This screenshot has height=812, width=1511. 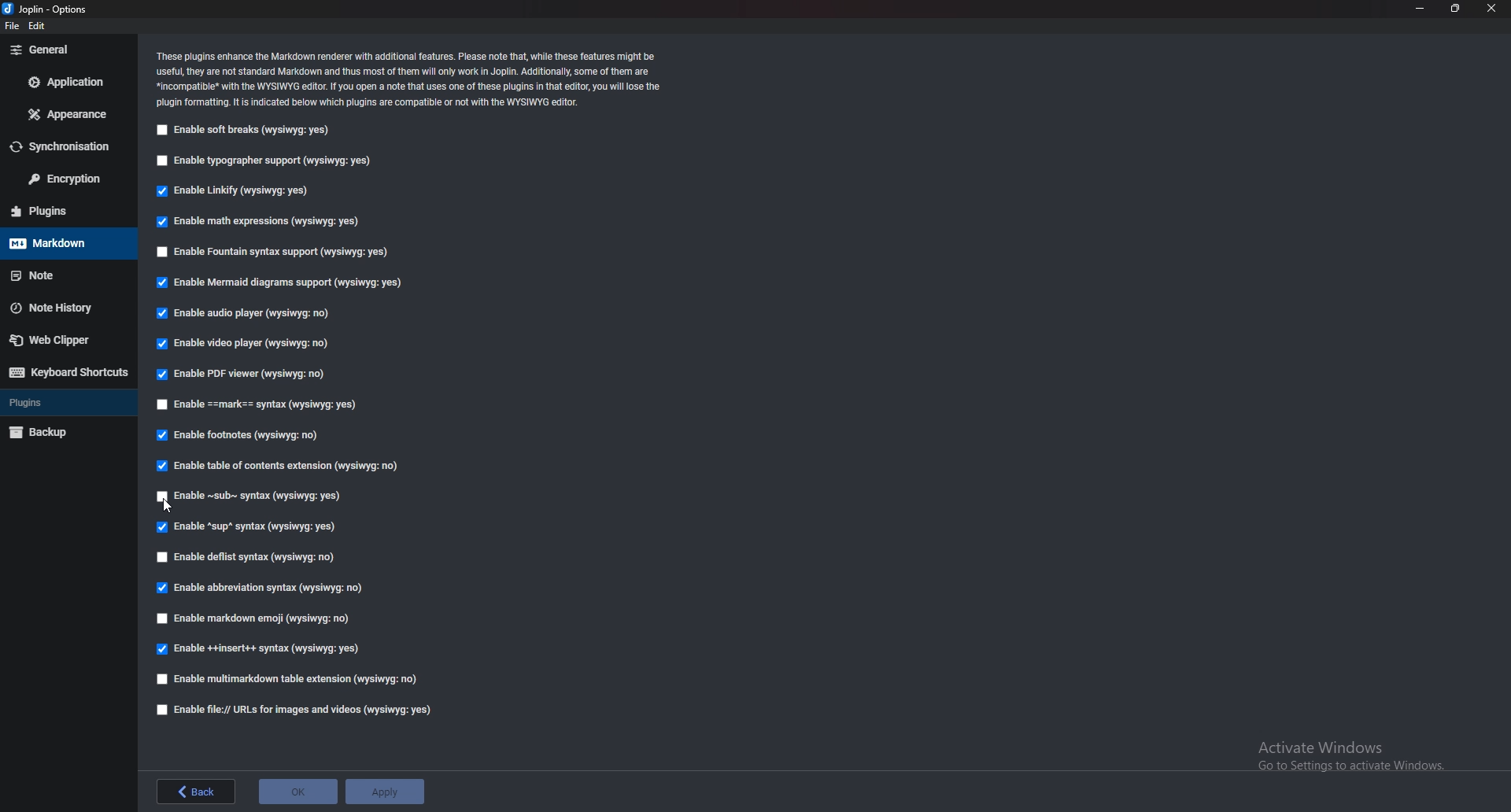 What do you see at coordinates (197, 792) in the screenshot?
I see `back` at bounding box center [197, 792].